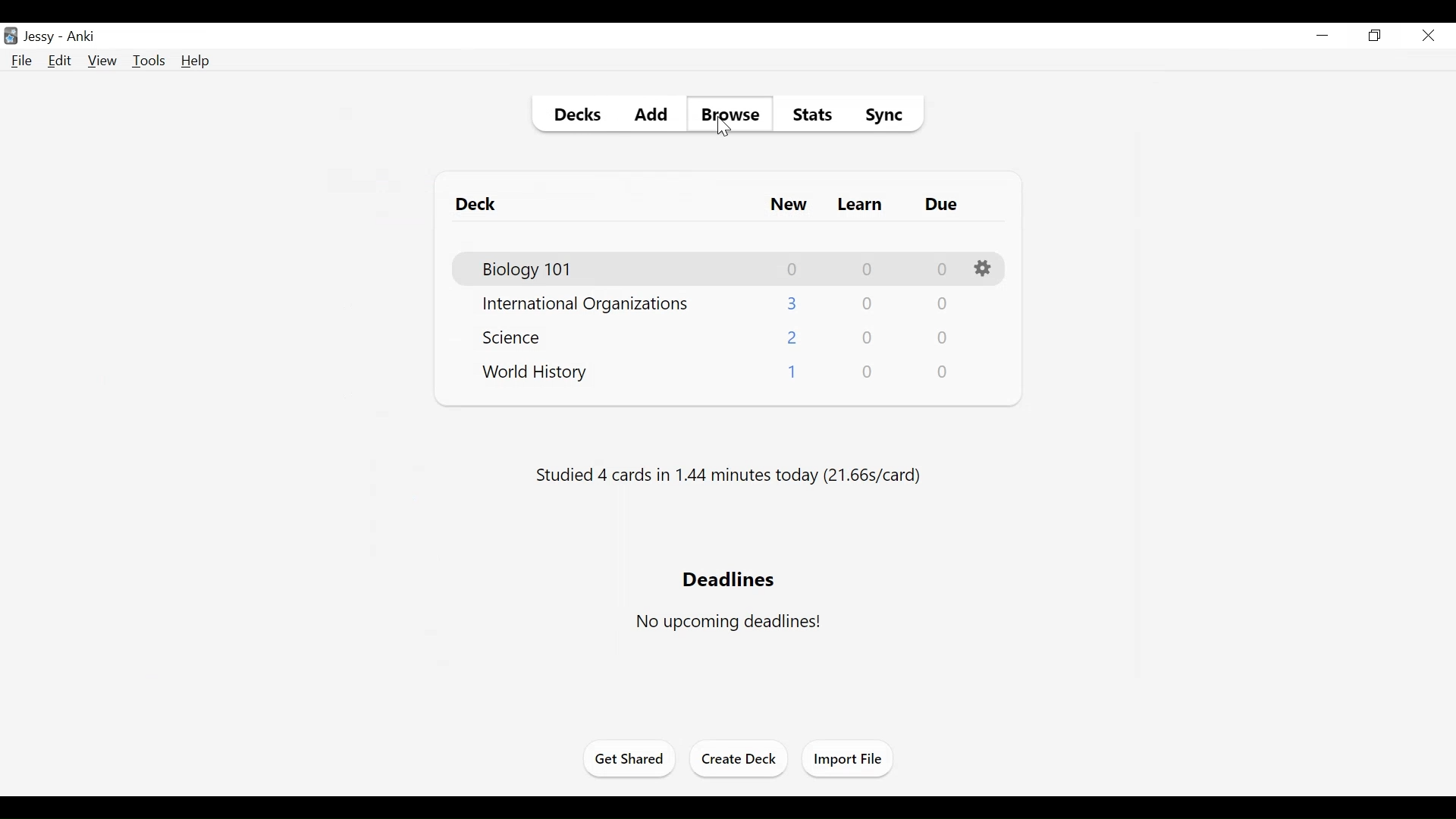  Describe the element at coordinates (535, 270) in the screenshot. I see `Deck Name Count` at that location.